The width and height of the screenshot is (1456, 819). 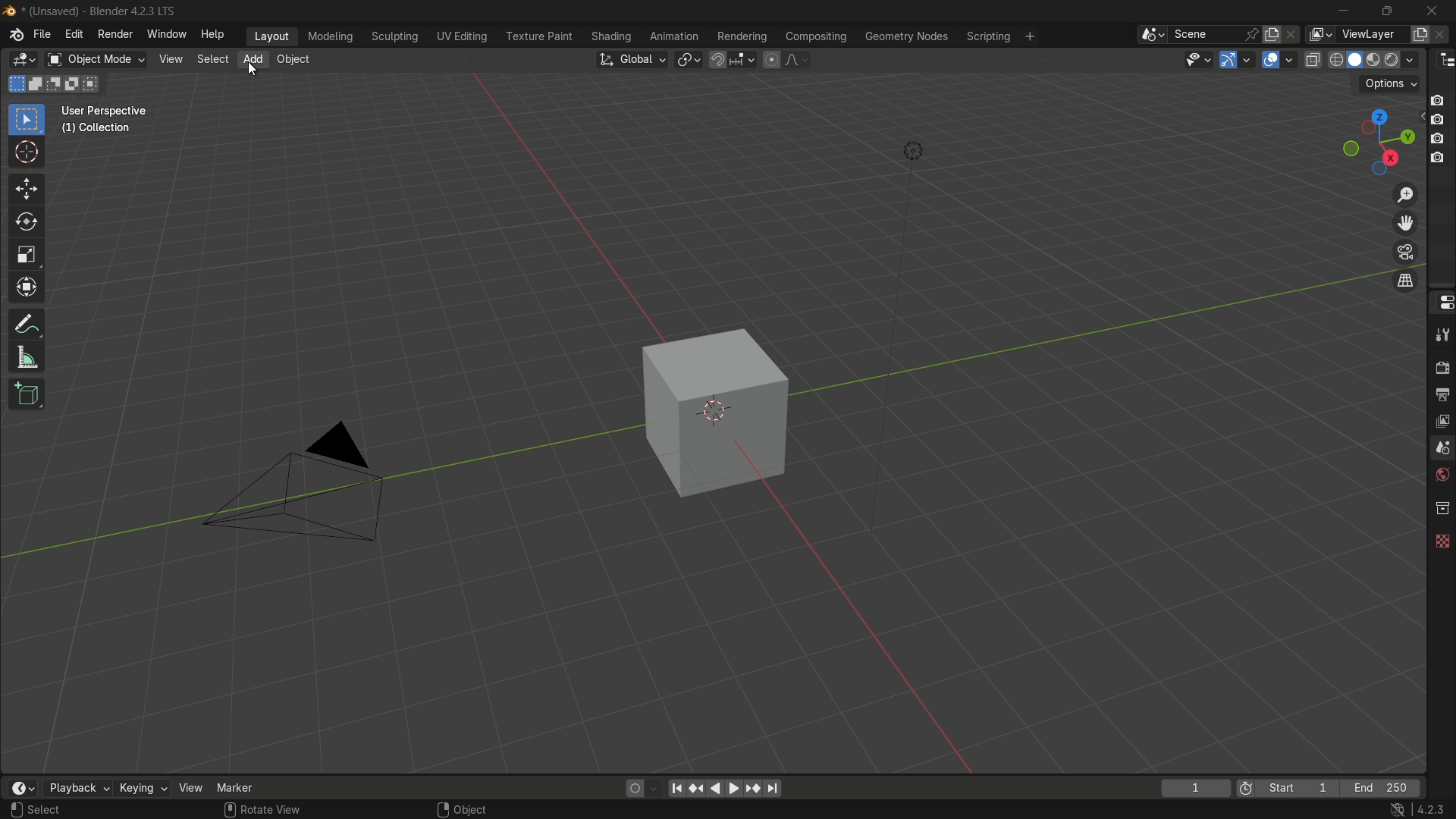 What do you see at coordinates (1252, 34) in the screenshot?
I see `pin scene to workspace` at bounding box center [1252, 34].